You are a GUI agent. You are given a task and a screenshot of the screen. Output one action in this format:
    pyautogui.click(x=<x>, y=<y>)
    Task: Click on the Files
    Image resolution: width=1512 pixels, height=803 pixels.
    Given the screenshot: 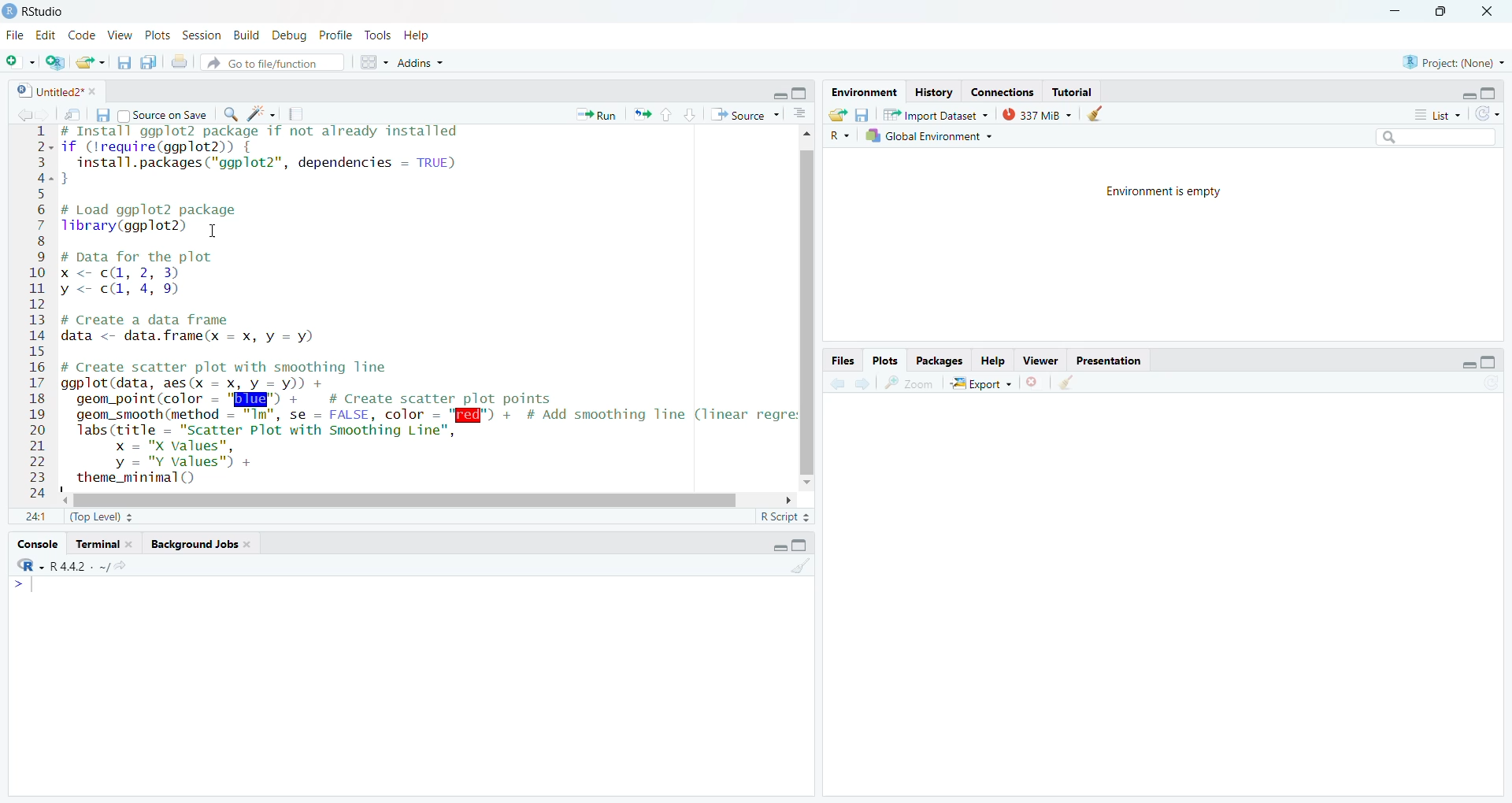 What is the action you would take?
    pyautogui.click(x=840, y=361)
    